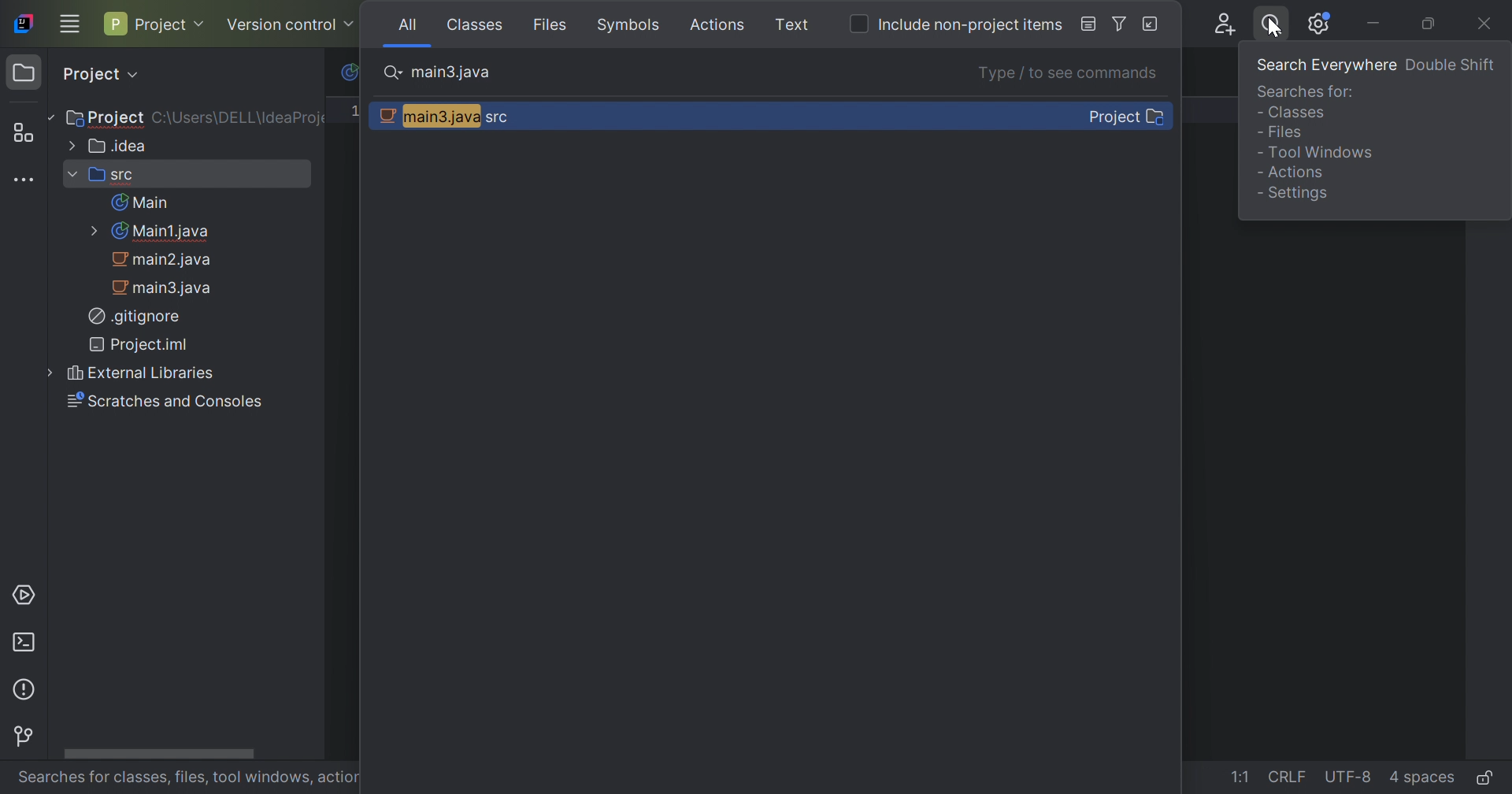  Describe the element at coordinates (1307, 95) in the screenshot. I see `Searches for:` at that location.